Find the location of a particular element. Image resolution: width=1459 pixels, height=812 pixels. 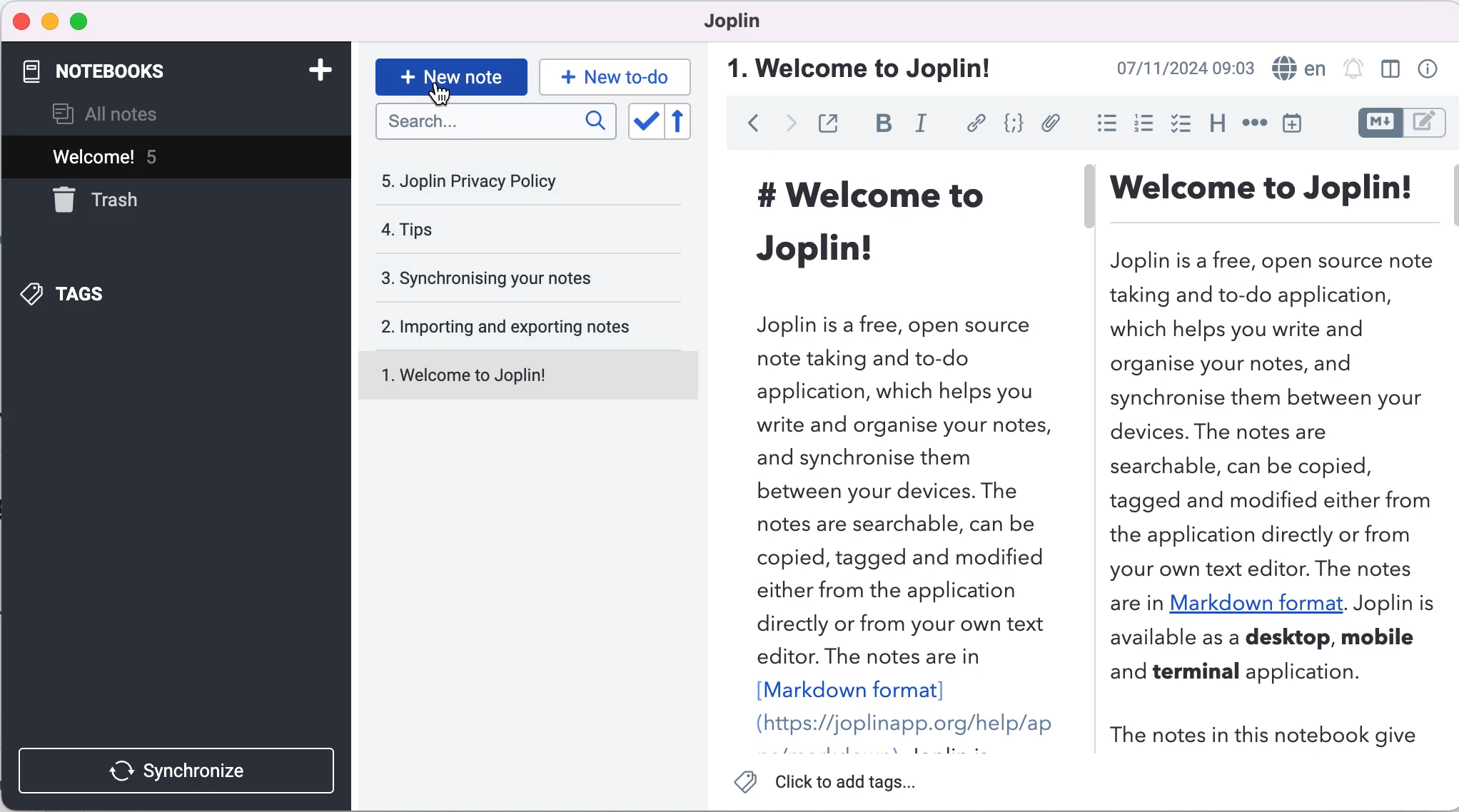

heading is located at coordinates (1218, 127).